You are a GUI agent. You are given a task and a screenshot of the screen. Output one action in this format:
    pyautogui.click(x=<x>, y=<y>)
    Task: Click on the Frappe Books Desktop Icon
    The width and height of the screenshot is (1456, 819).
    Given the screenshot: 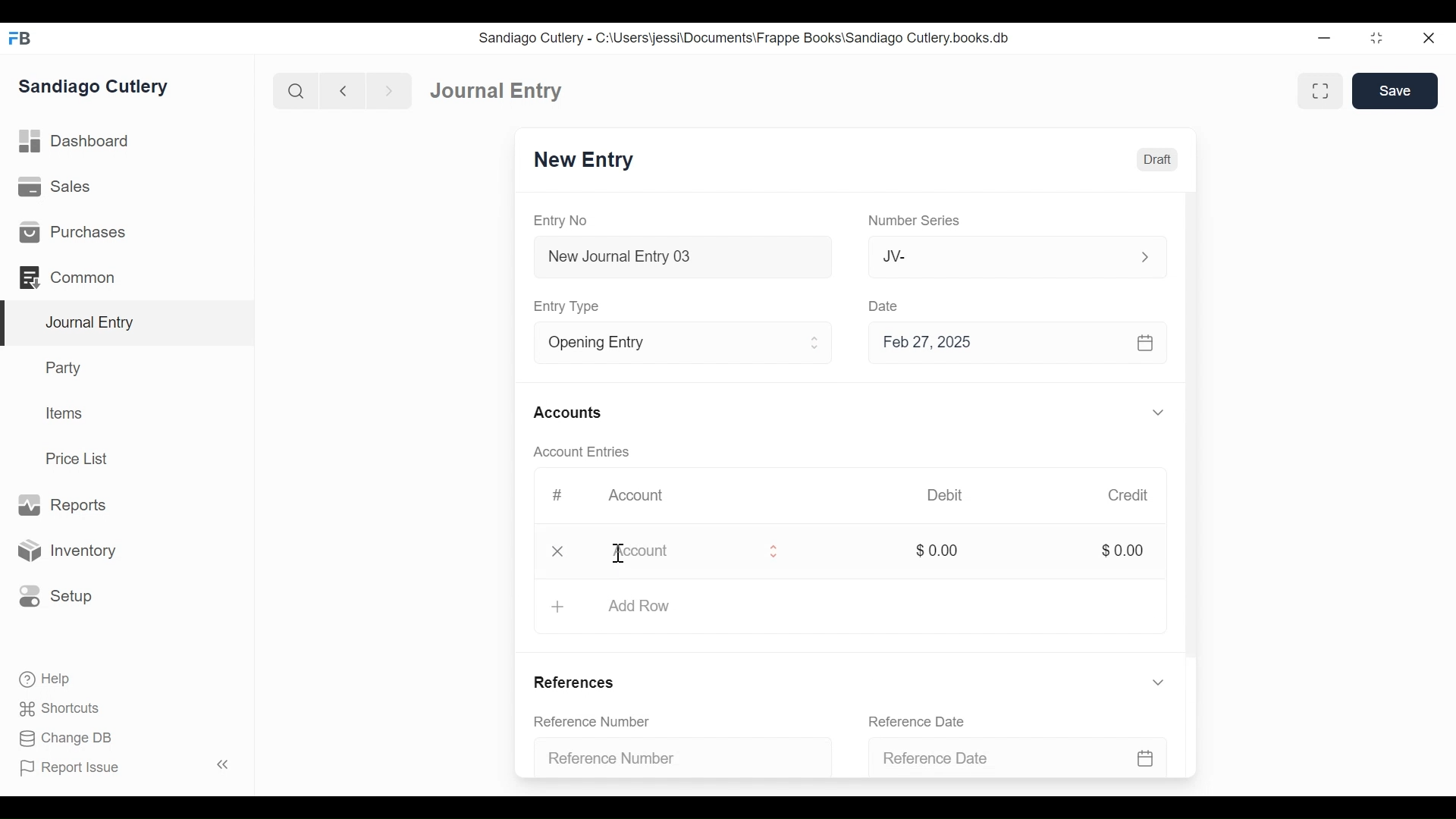 What is the action you would take?
    pyautogui.click(x=20, y=39)
    